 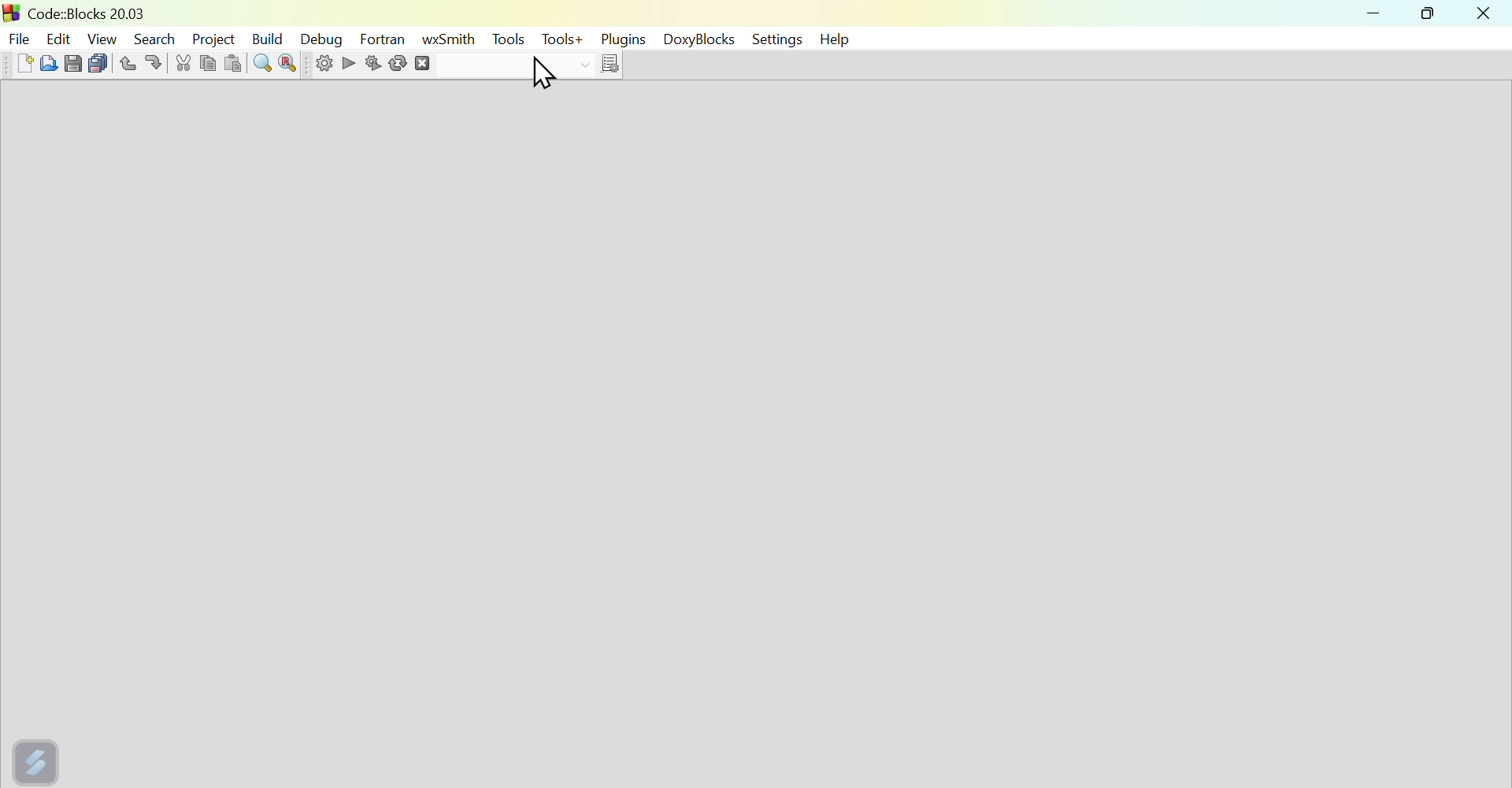 What do you see at coordinates (16, 63) in the screenshot?
I see `new` at bounding box center [16, 63].